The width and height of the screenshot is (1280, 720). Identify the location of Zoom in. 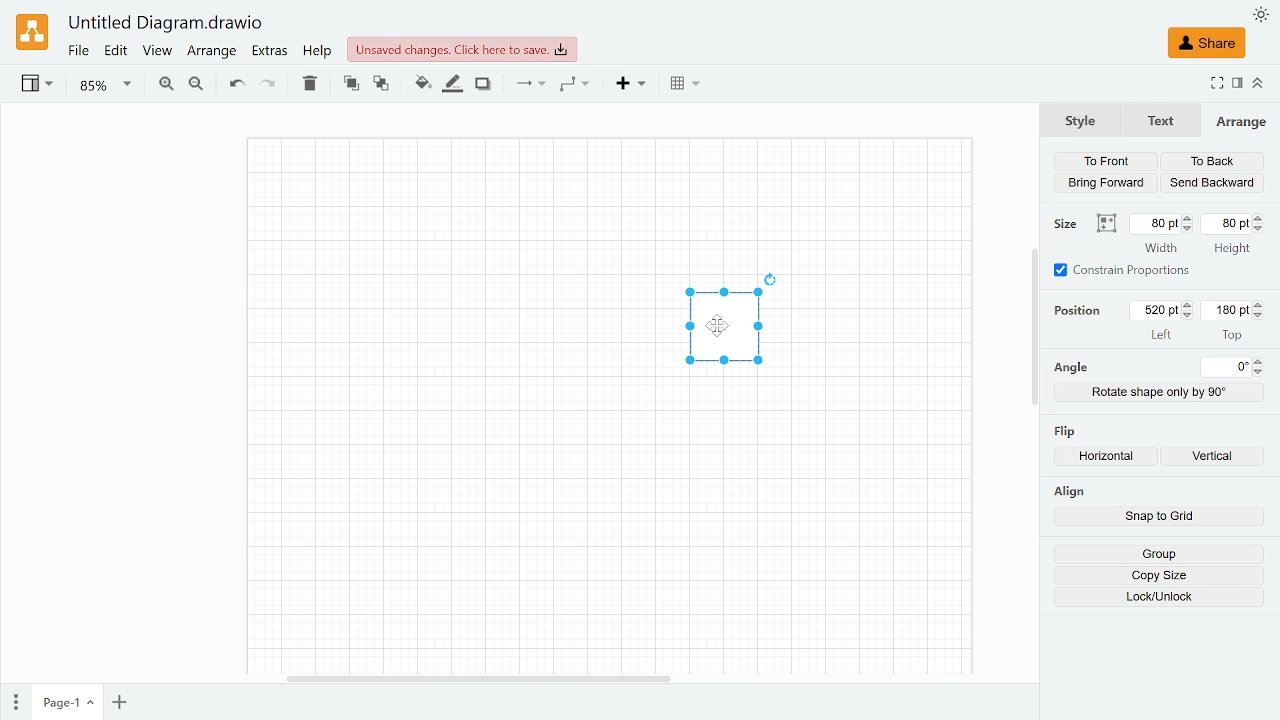
(165, 86).